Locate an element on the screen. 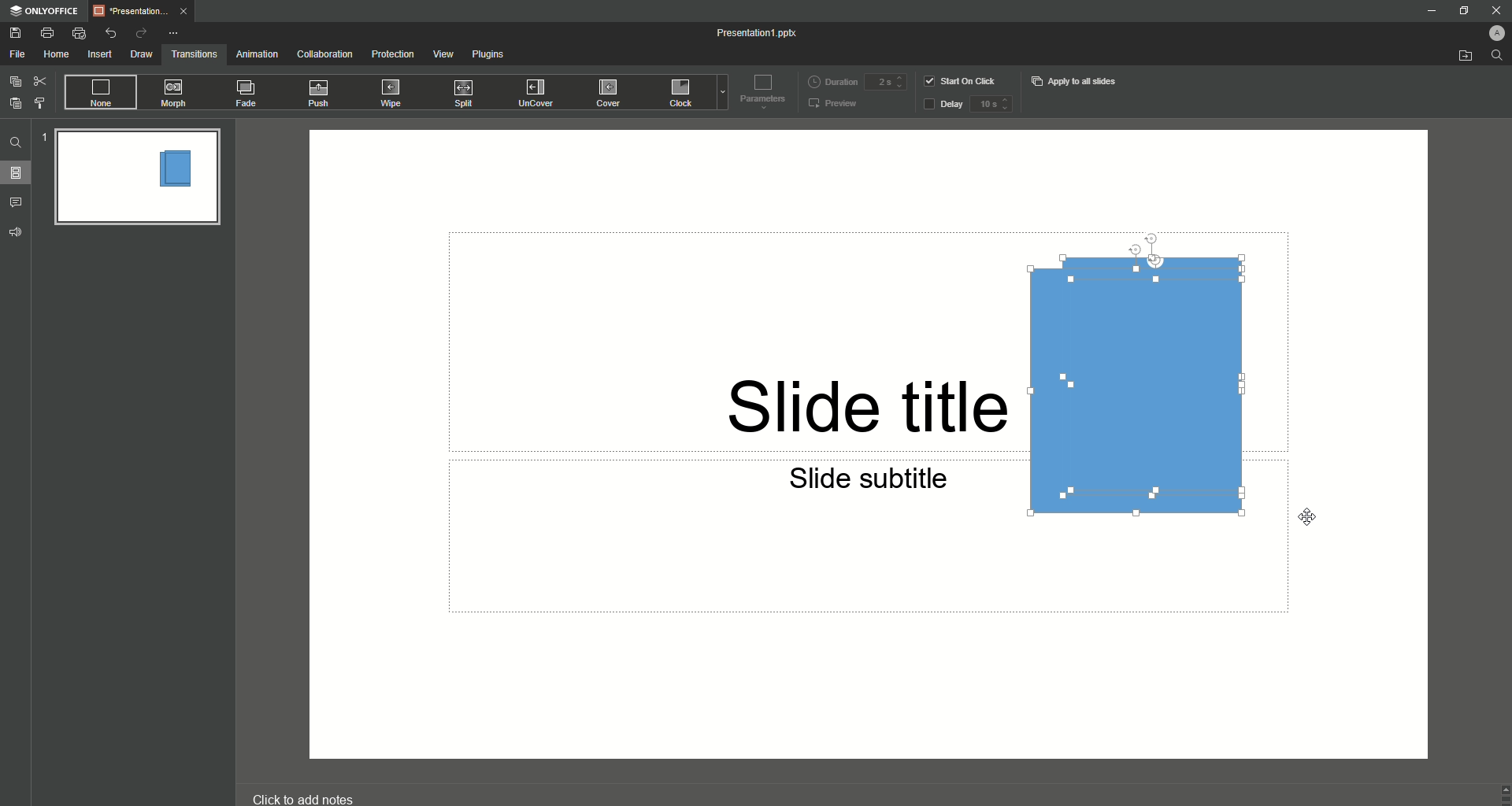  View is located at coordinates (443, 54).